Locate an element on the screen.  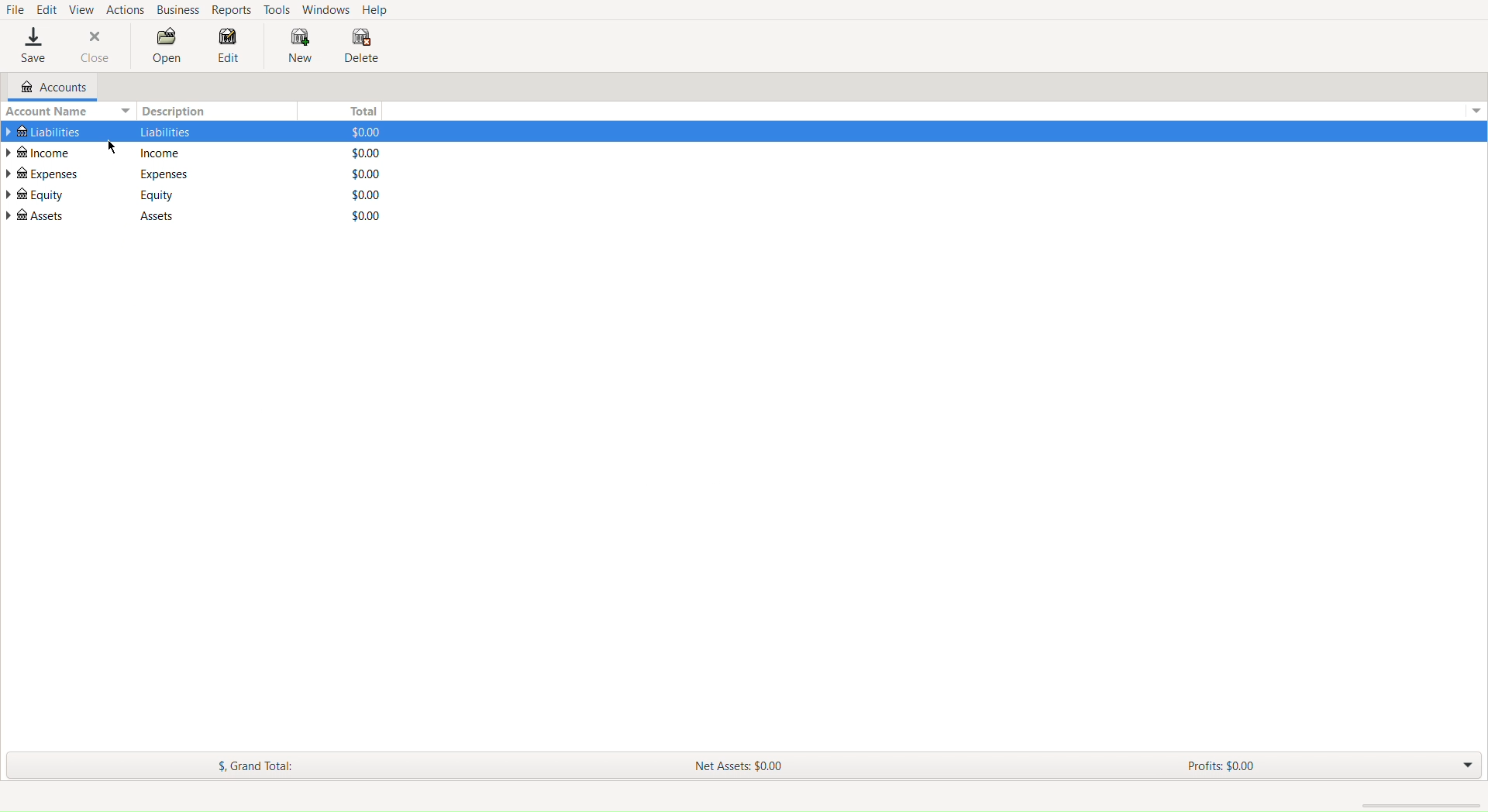
Total is located at coordinates (367, 151).